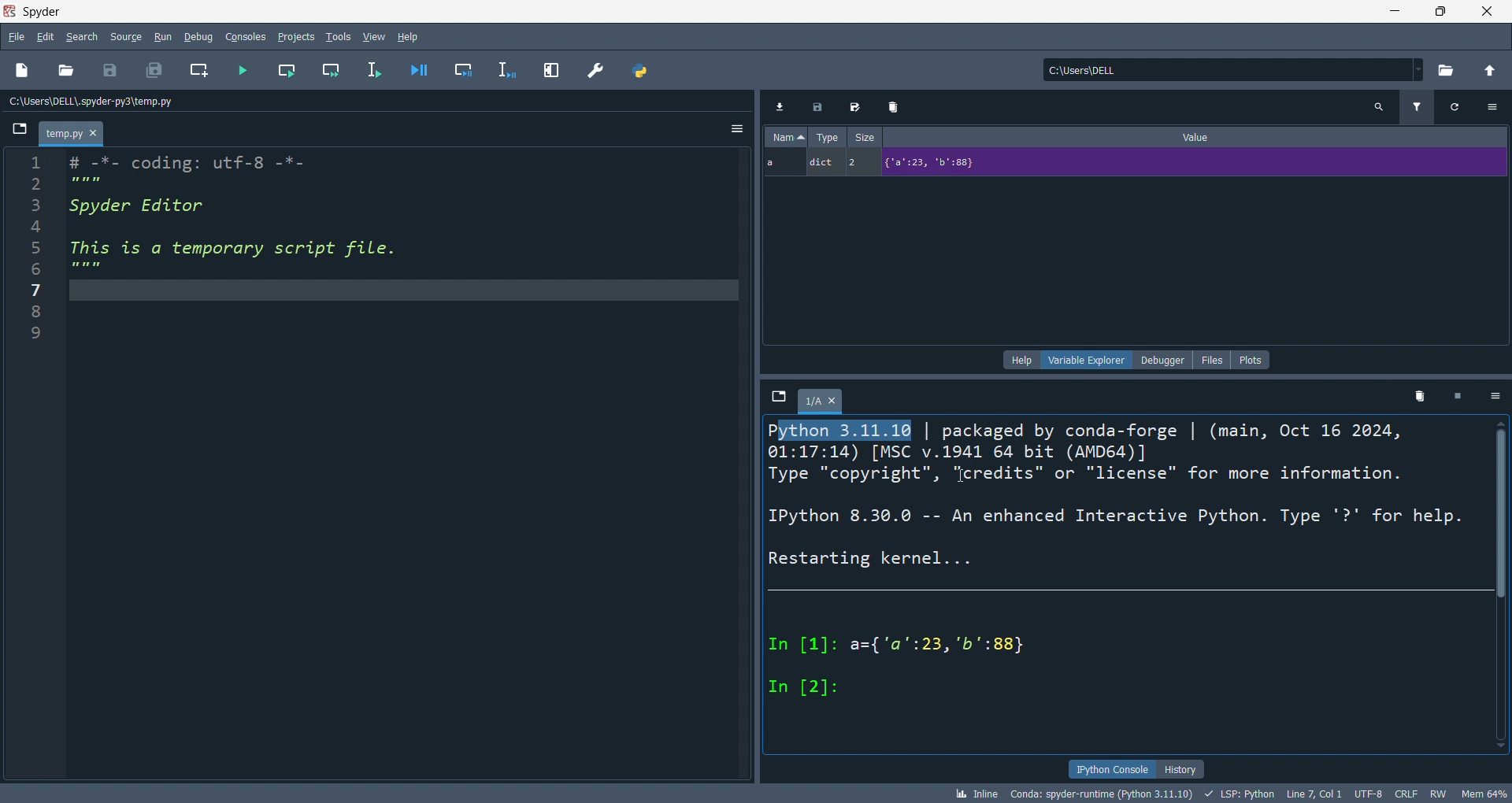 Image resolution: width=1512 pixels, height=803 pixels. What do you see at coordinates (1462, 395) in the screenshot?
I see `close kernel` at bounding box center [1462, 395].